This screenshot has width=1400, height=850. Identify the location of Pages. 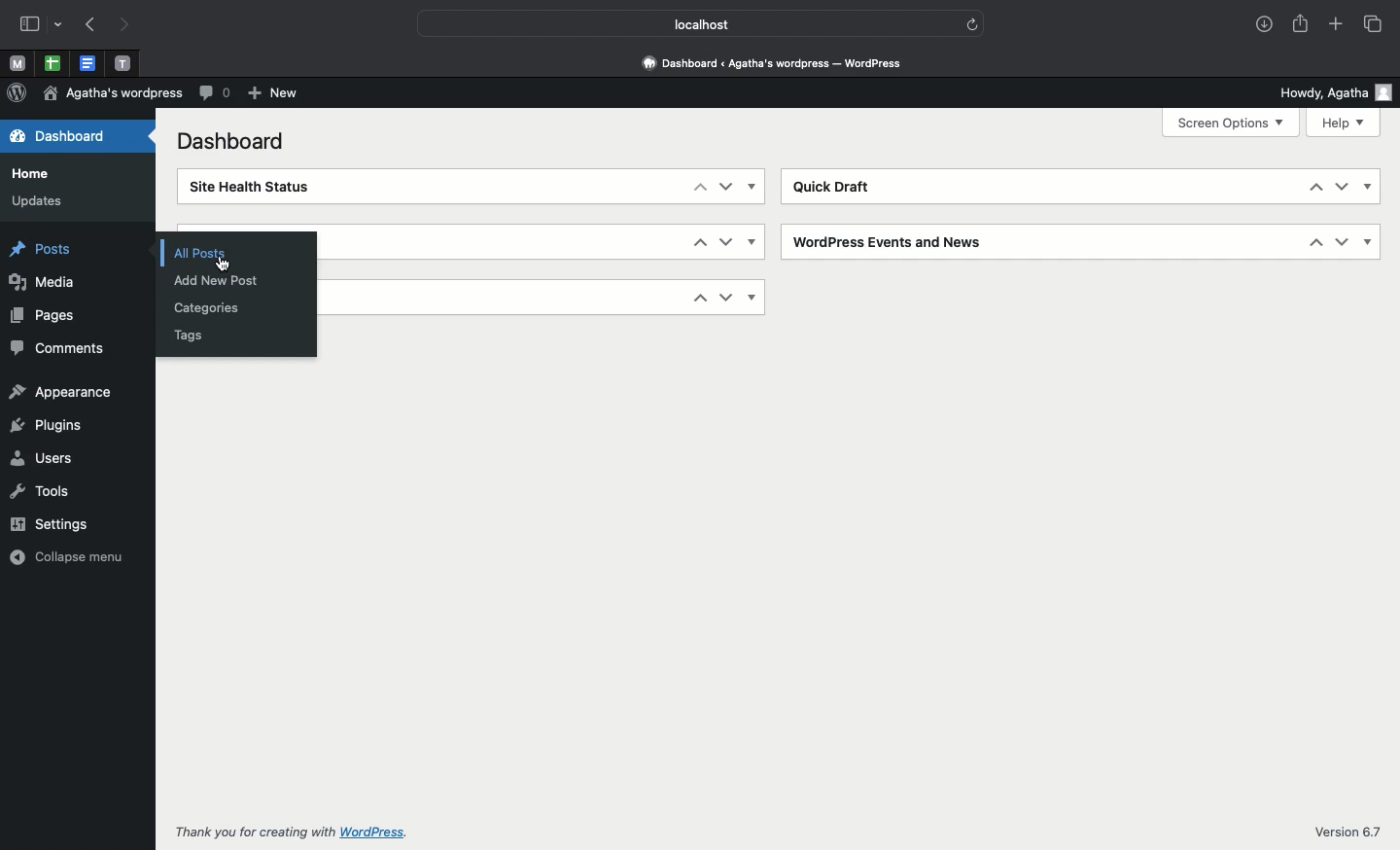
(52, 316).